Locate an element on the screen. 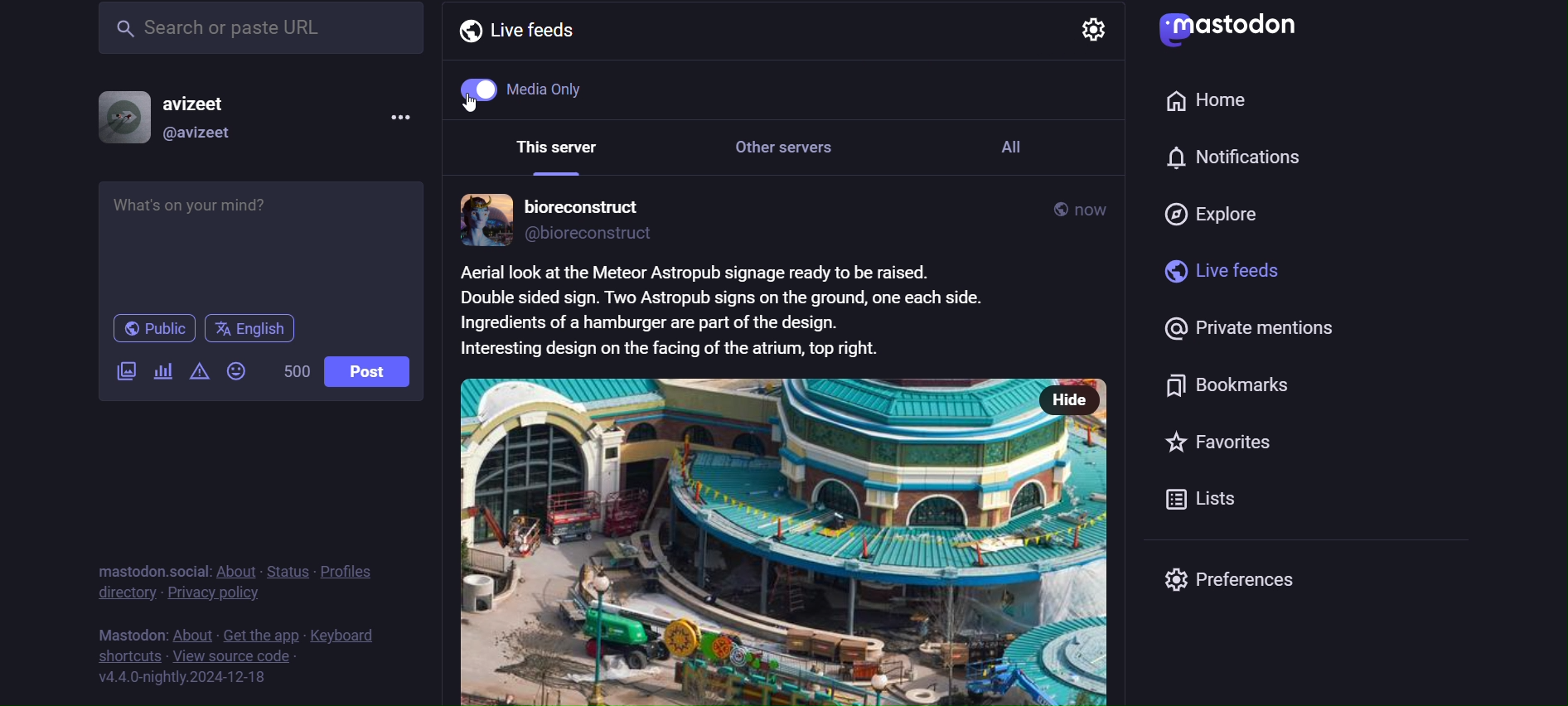 This screenshot has height=706, width=1568. bookmarks is located at coordinates (1236, 384).